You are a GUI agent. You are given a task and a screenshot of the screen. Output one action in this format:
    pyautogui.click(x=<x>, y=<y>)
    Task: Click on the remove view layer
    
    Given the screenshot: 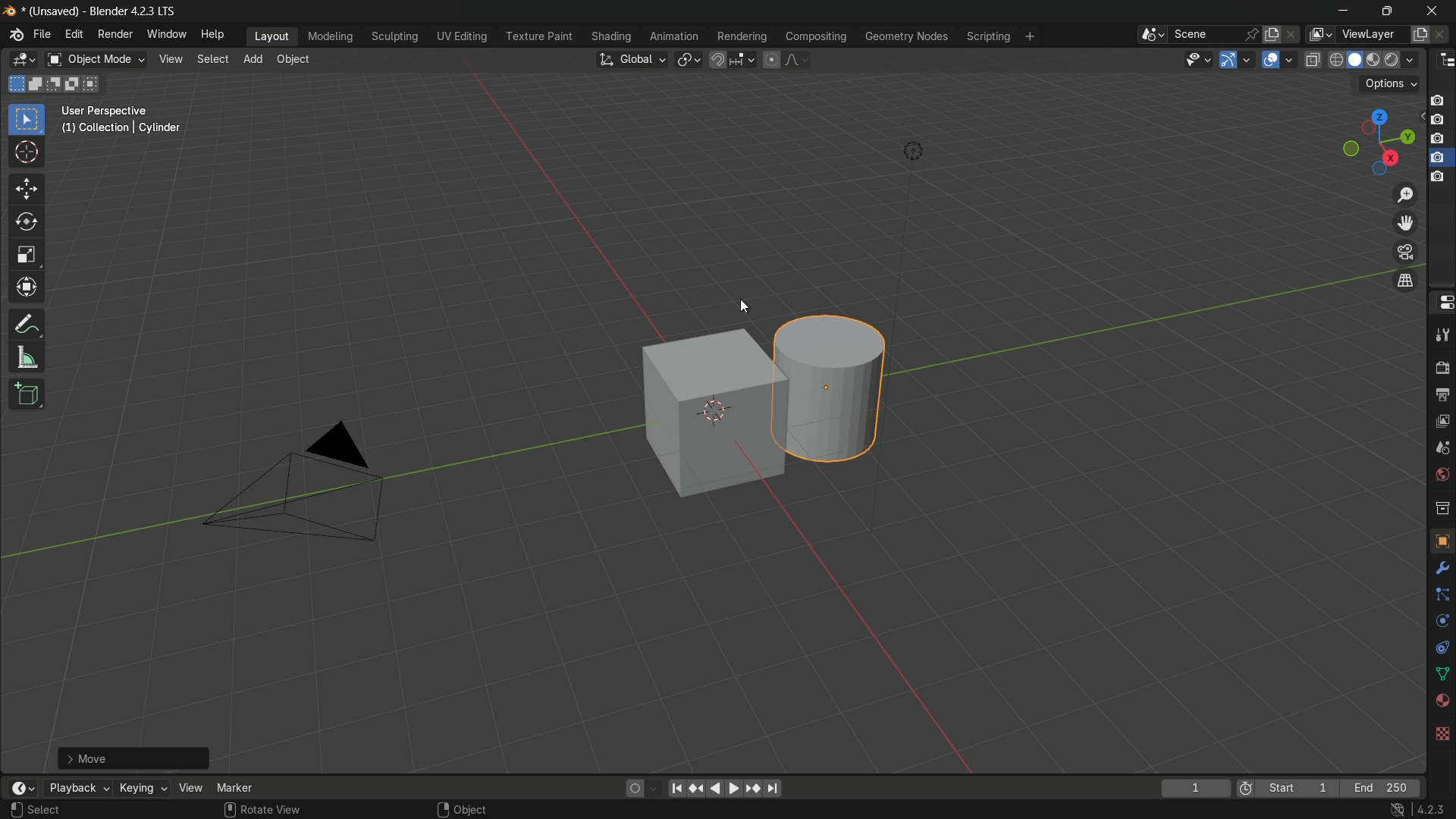 What is the action you would take?
    pyautogui.click(x=1444, y=35)
    